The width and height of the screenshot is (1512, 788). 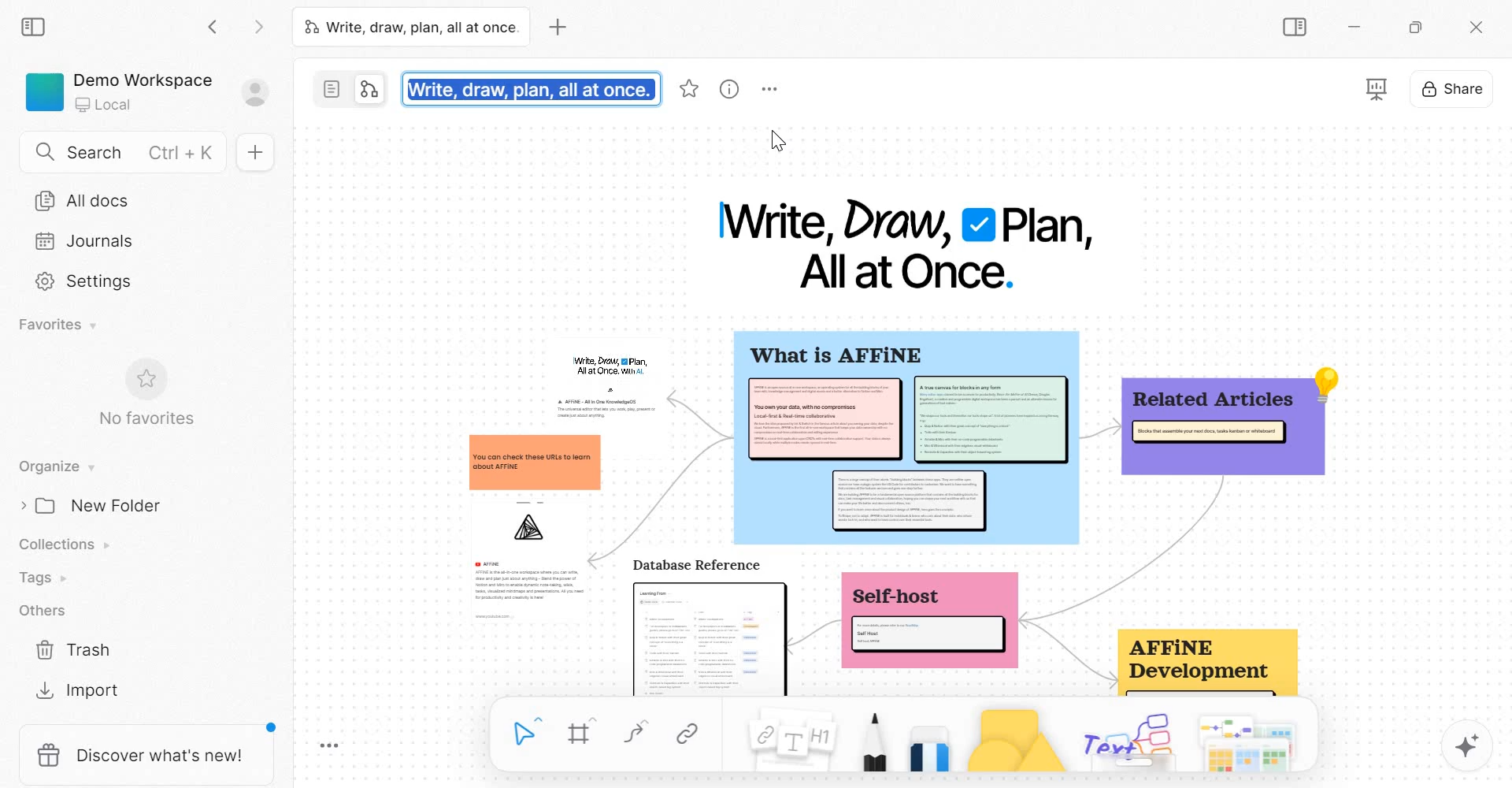 What do you see at coordinates (634, 734) in the screenshot?
I see `curve` at bounding box center [634, 734].